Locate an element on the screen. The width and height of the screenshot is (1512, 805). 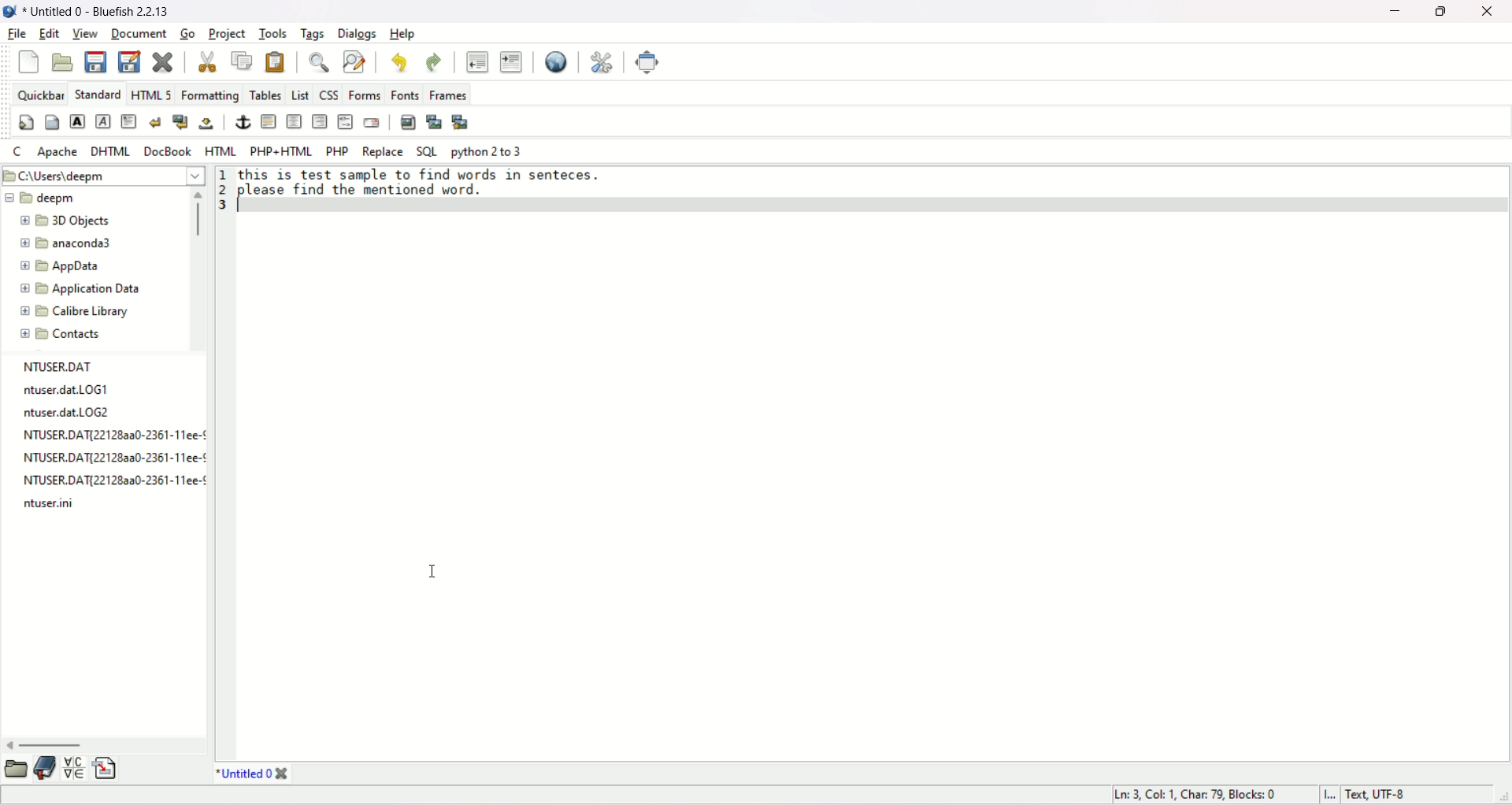
formatting is located at coordinates (211, 95).